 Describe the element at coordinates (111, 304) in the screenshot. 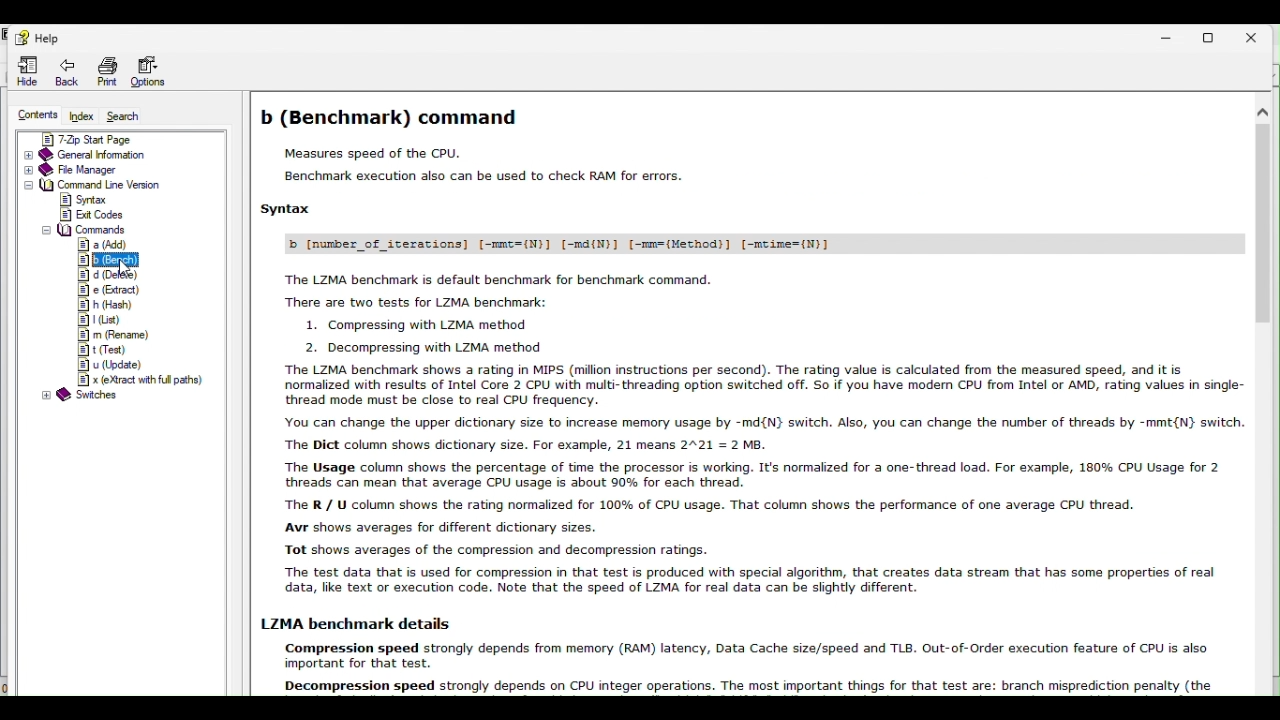

I see `h` at that location.